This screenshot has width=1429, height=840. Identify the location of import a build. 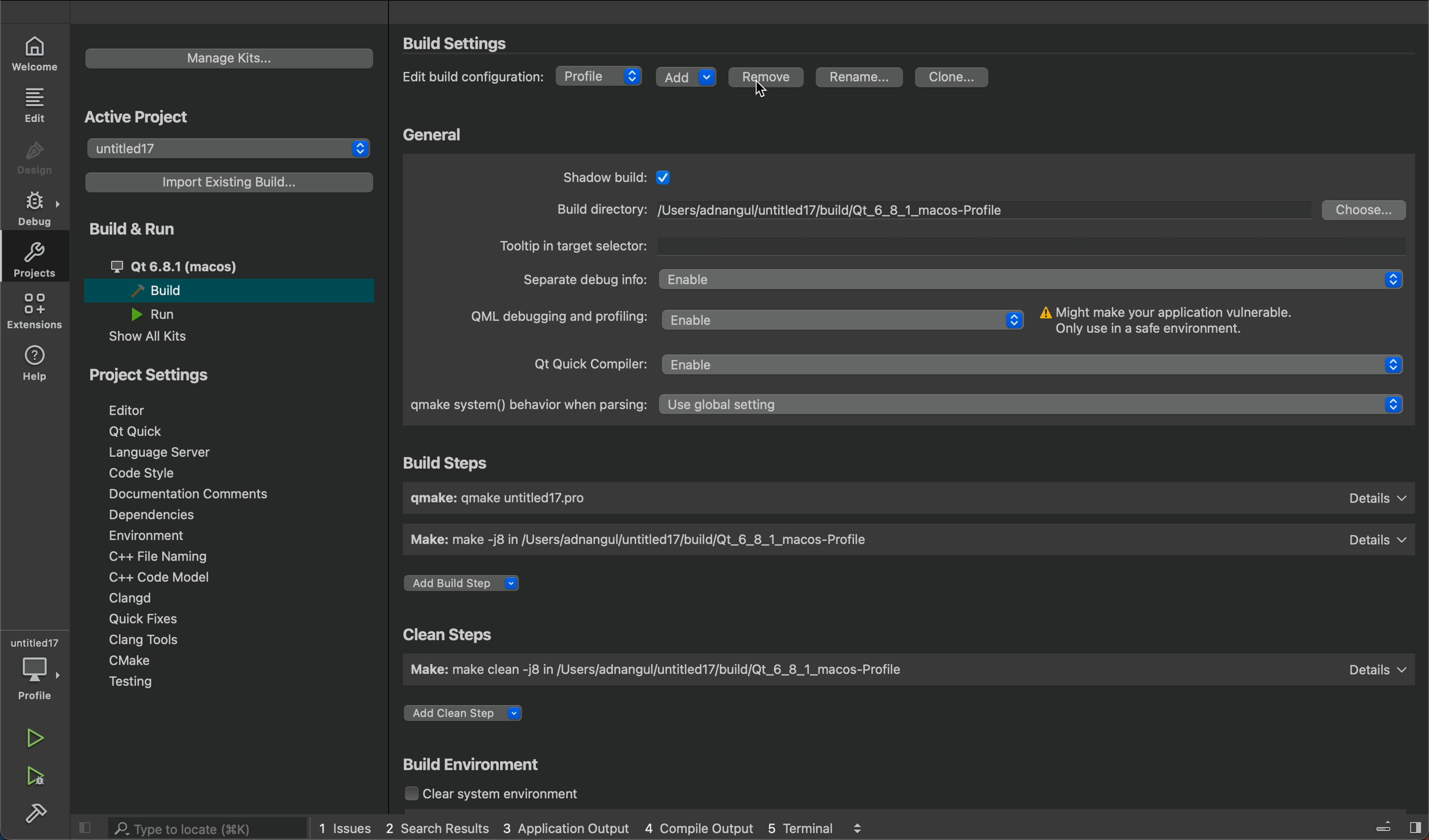
(228, 182).